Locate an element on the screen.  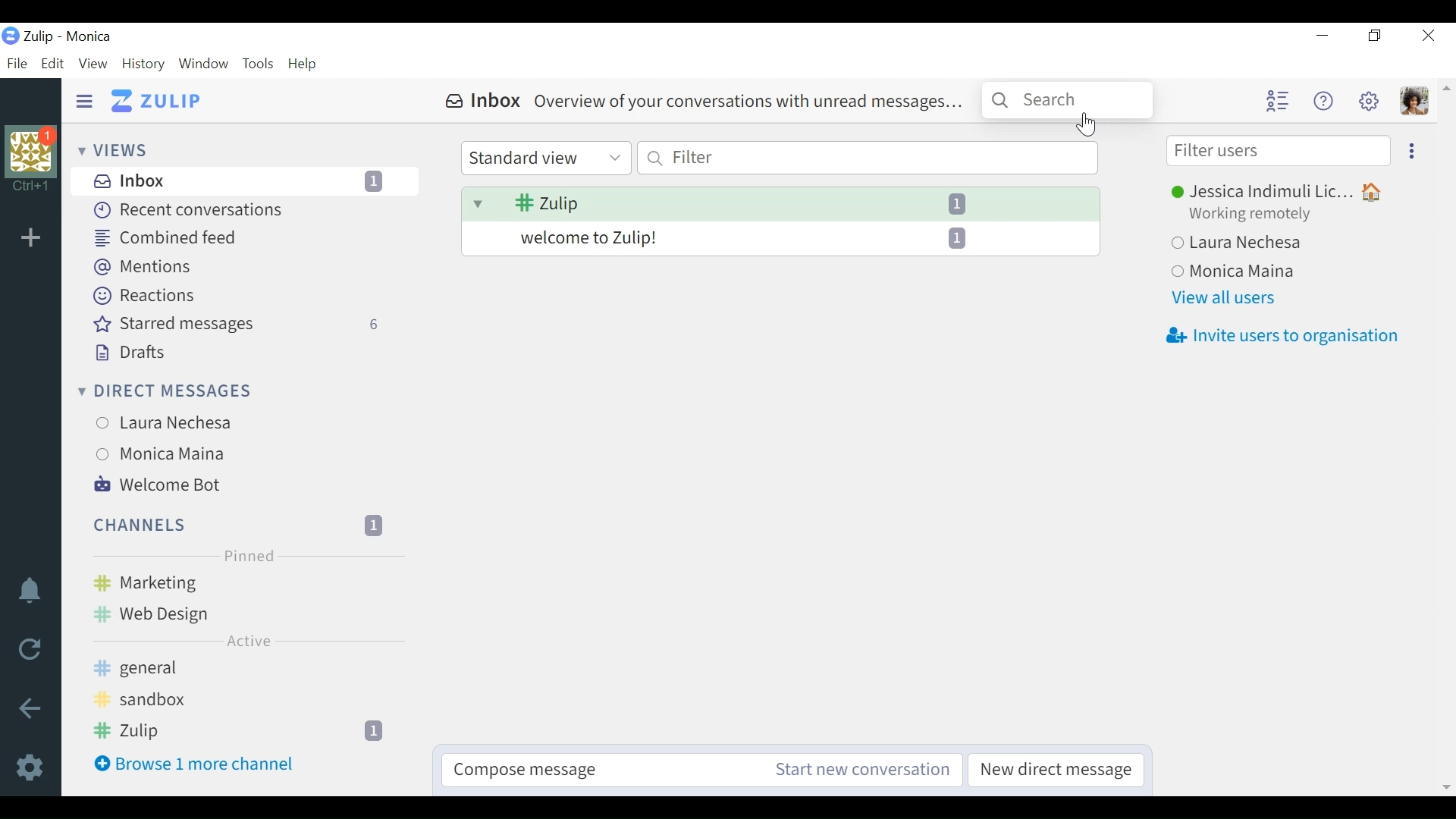
Direct messages is located at coordinates (163, 392).